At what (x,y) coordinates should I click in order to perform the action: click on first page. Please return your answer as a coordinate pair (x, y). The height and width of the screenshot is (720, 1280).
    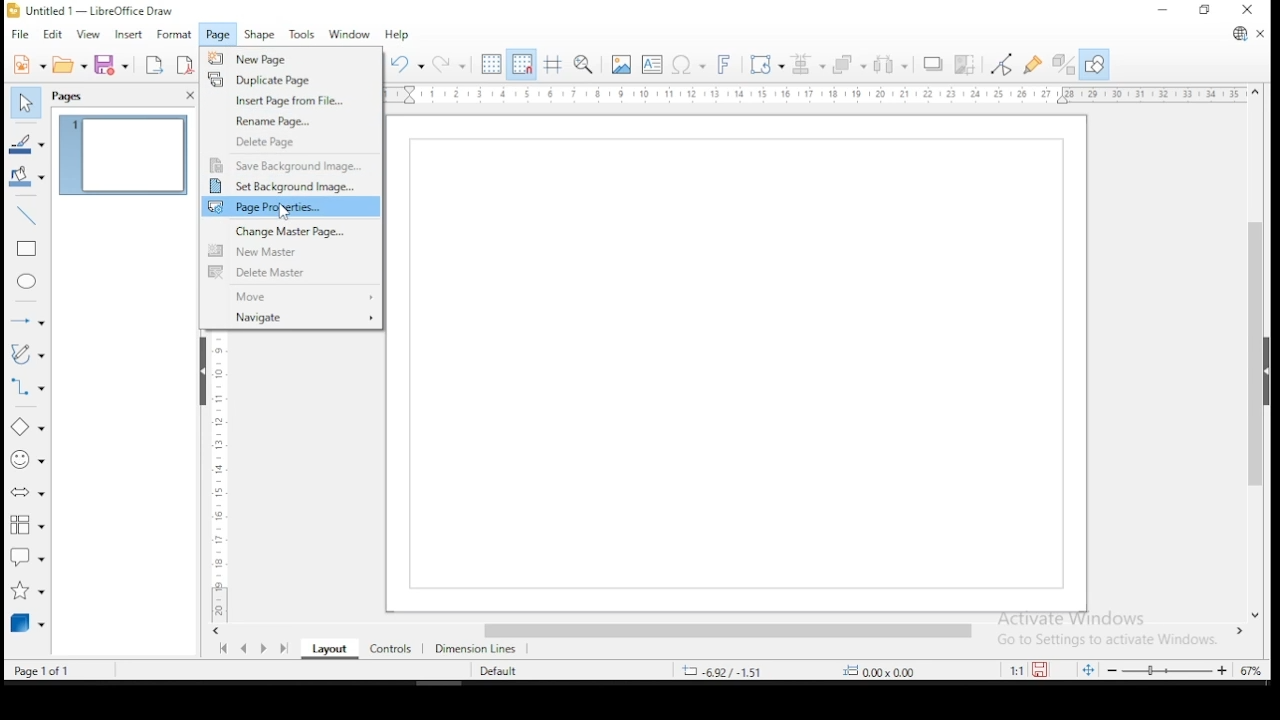
    Looking at the image, I should click on (223, 649).